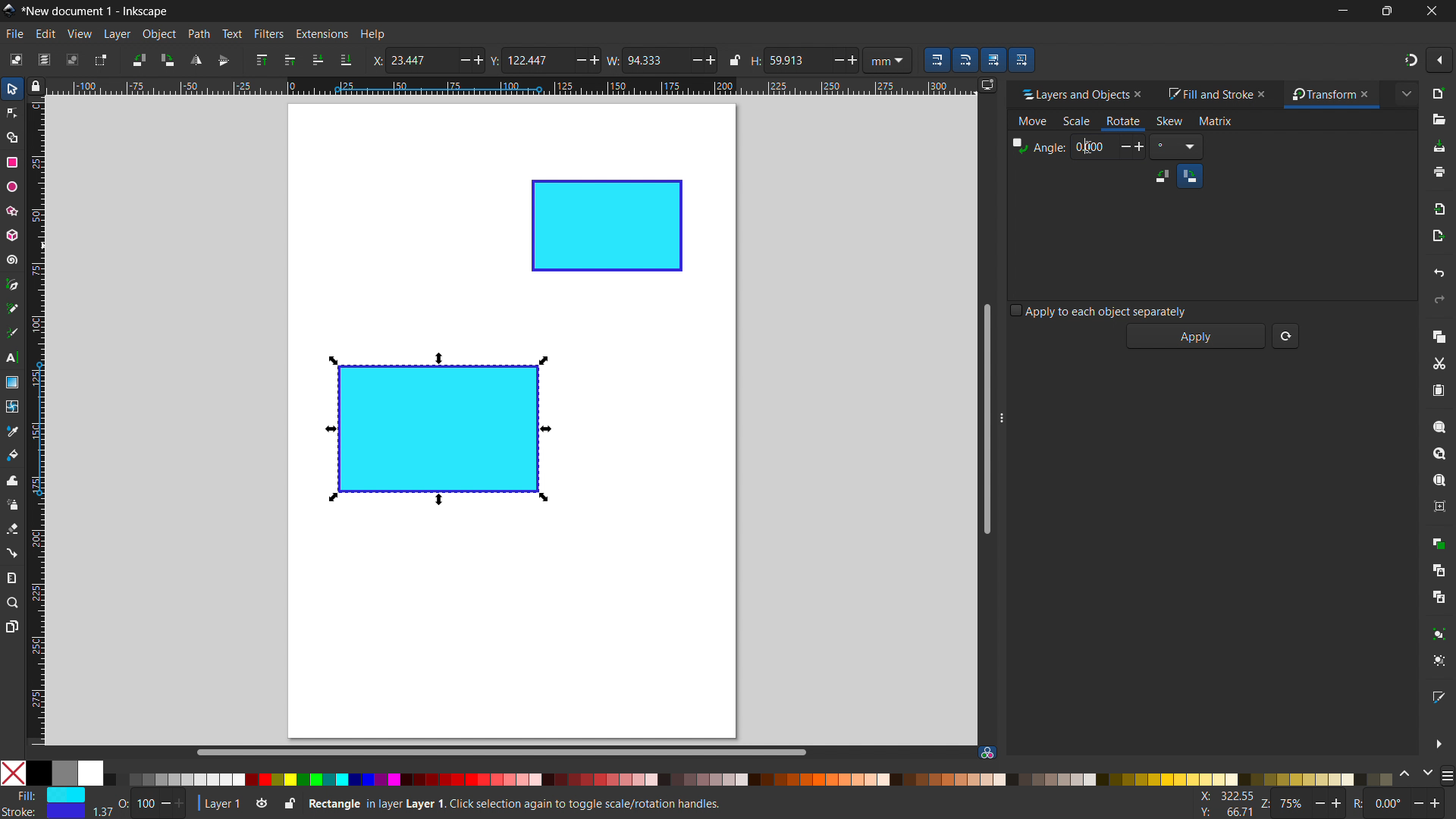 The image size is (1456, 819). I want to click on resize, so click(1005, 413).